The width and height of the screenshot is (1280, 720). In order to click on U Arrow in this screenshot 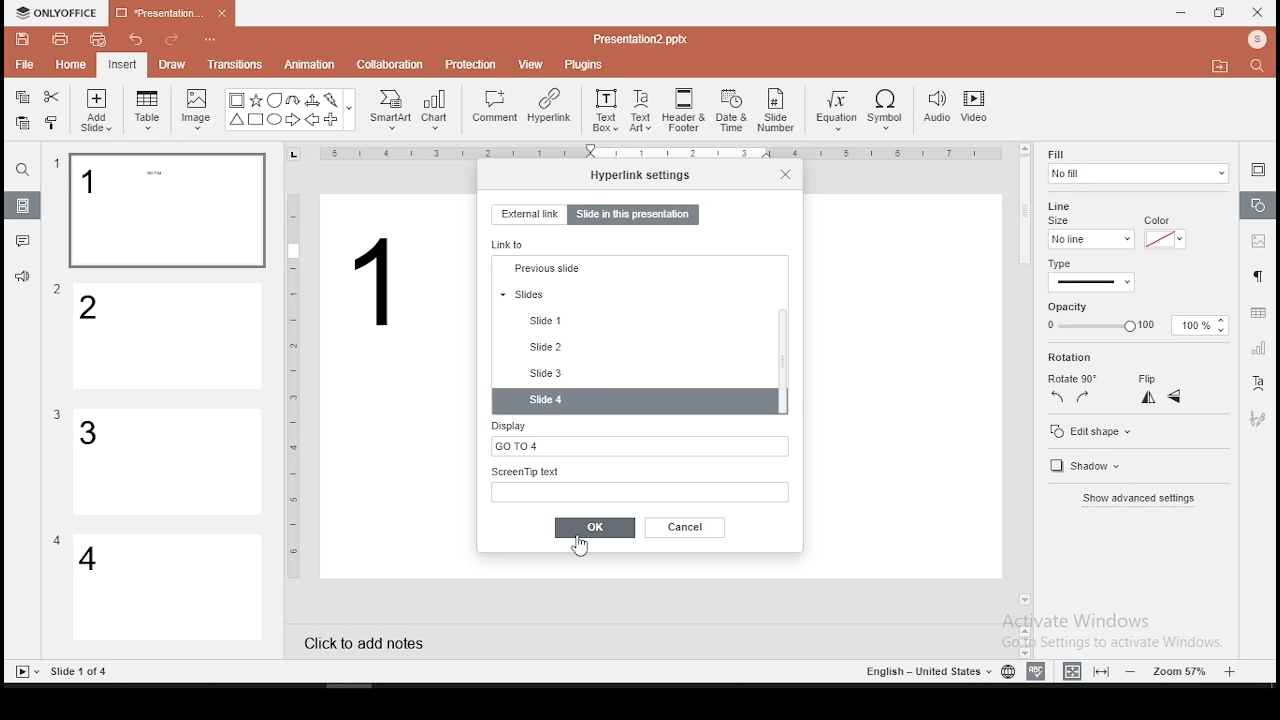, I will do `click(294, 100)`.